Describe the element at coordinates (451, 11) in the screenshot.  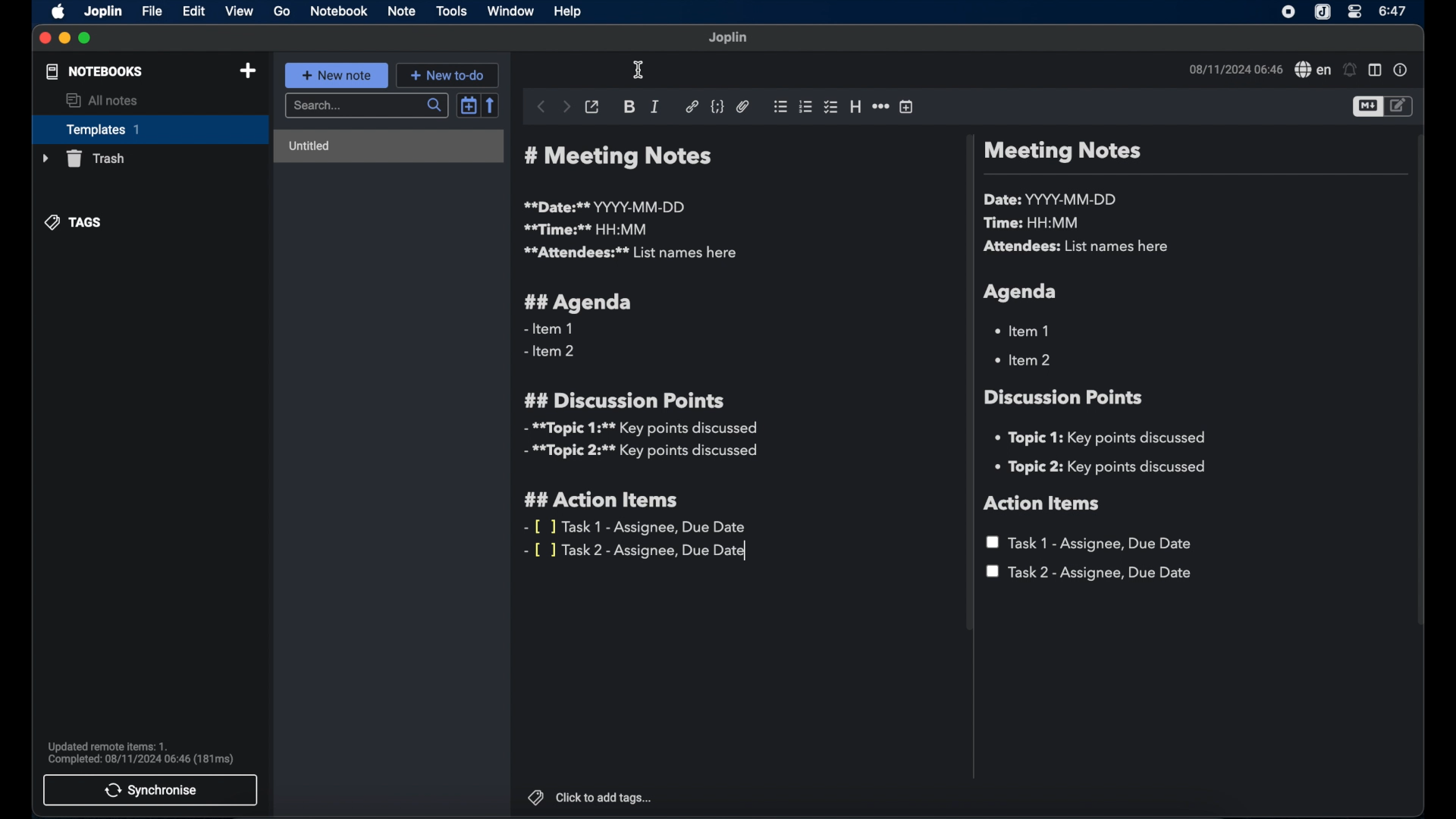
I see `tools` at that location.